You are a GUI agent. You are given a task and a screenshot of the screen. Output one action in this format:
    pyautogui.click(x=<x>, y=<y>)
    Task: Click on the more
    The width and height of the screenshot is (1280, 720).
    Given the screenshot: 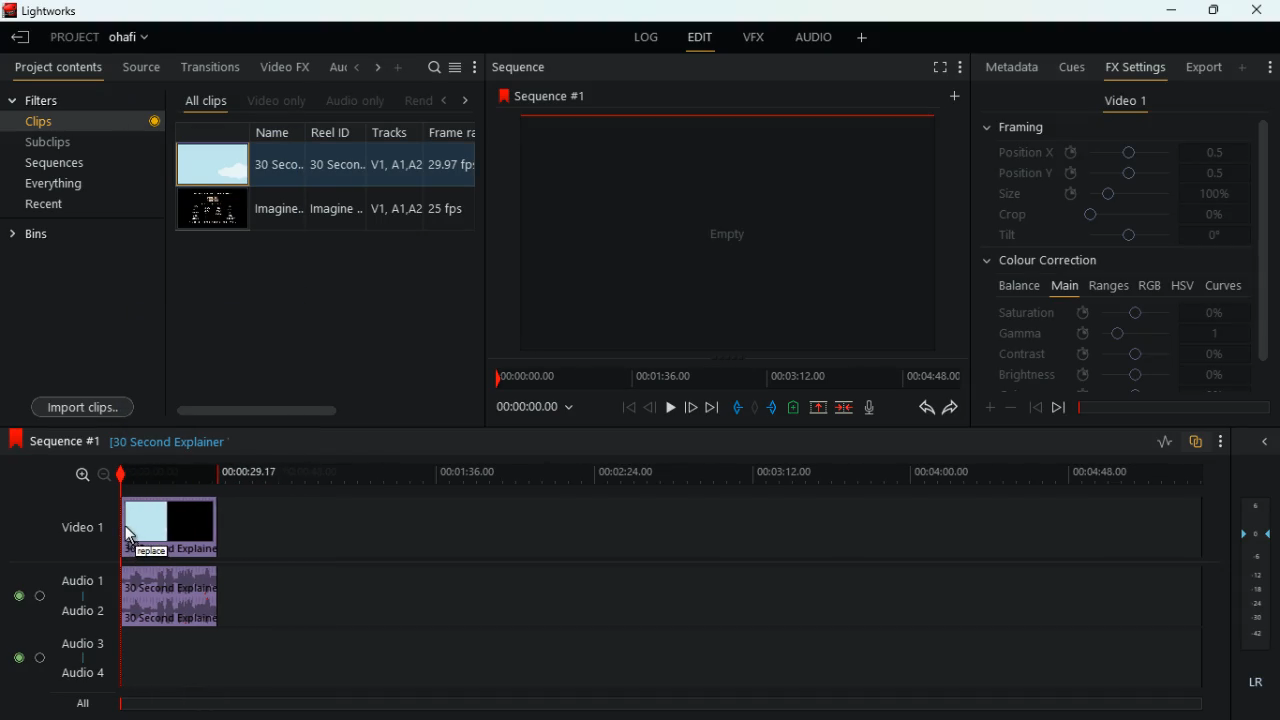 What is the action you would take?
    pyautogui.click(x=477, y=67)
    